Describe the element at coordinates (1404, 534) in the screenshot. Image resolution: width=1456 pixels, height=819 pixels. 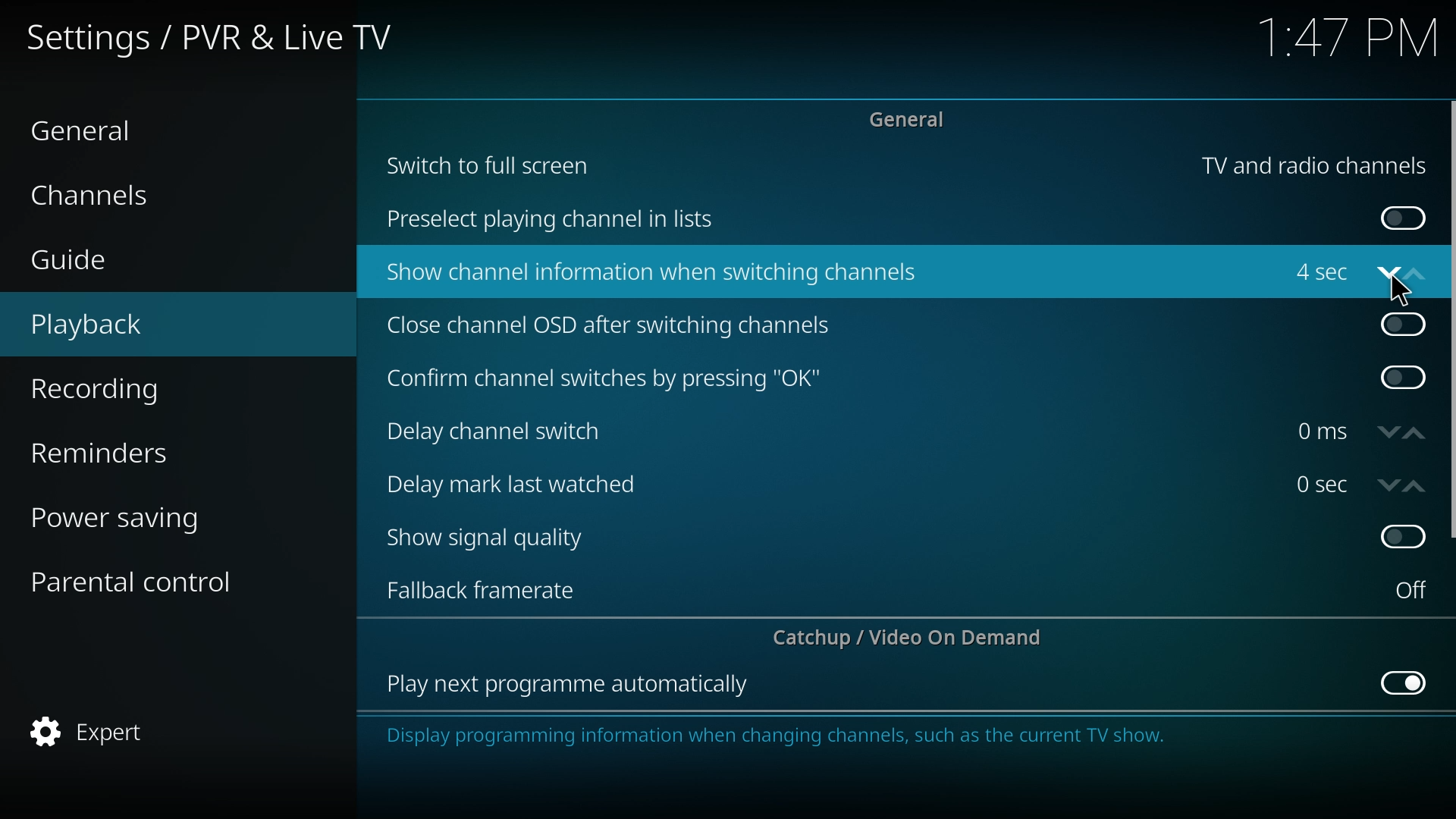
I see `off` at that location.